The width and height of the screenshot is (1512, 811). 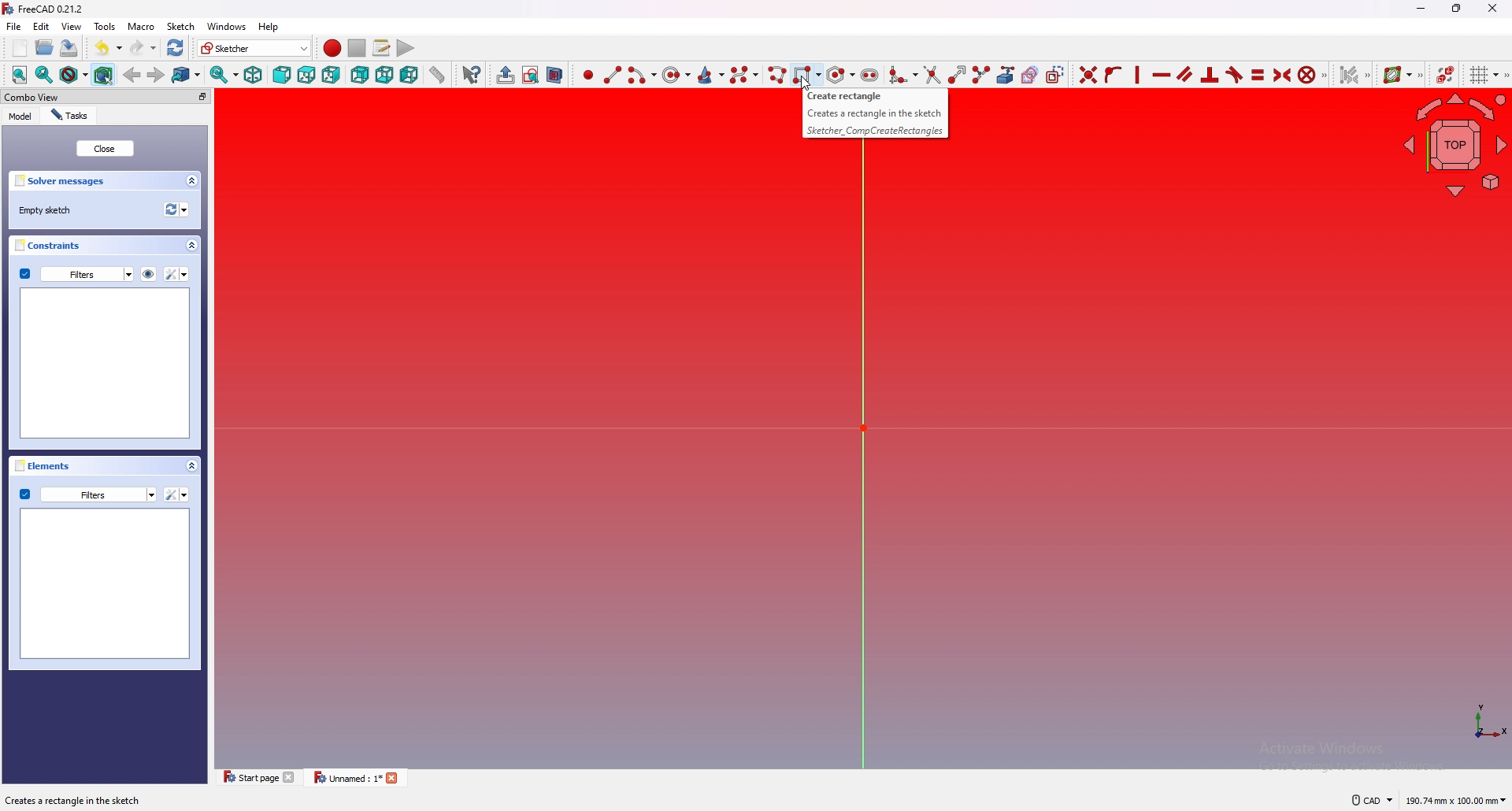 What do you see at coordinates (1485, 75) in the screenshot?
I see `toggle grid` at bounding box center [1485, 75].